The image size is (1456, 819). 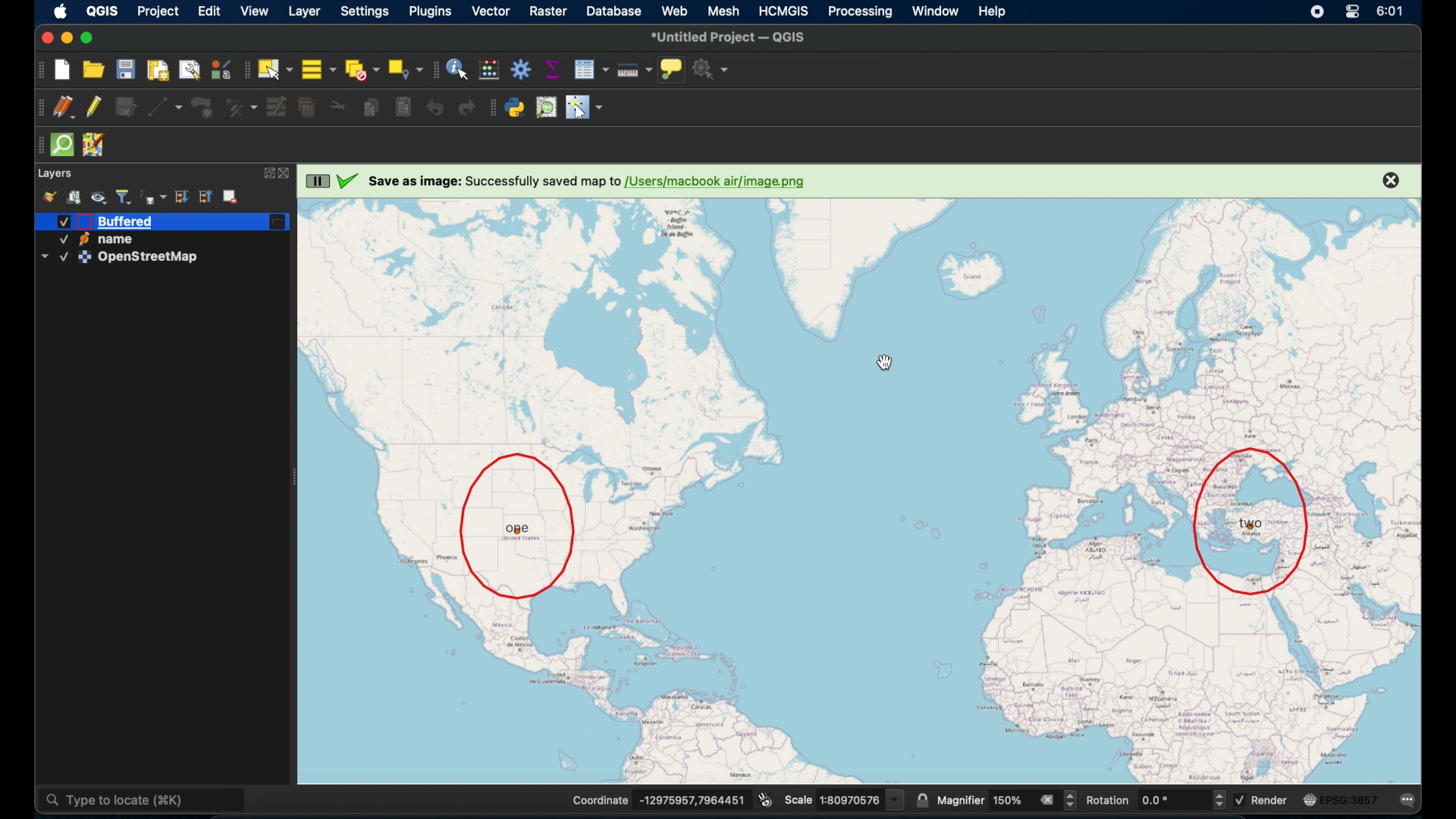 I want to click on dropdown, so click(x=43, y=257).